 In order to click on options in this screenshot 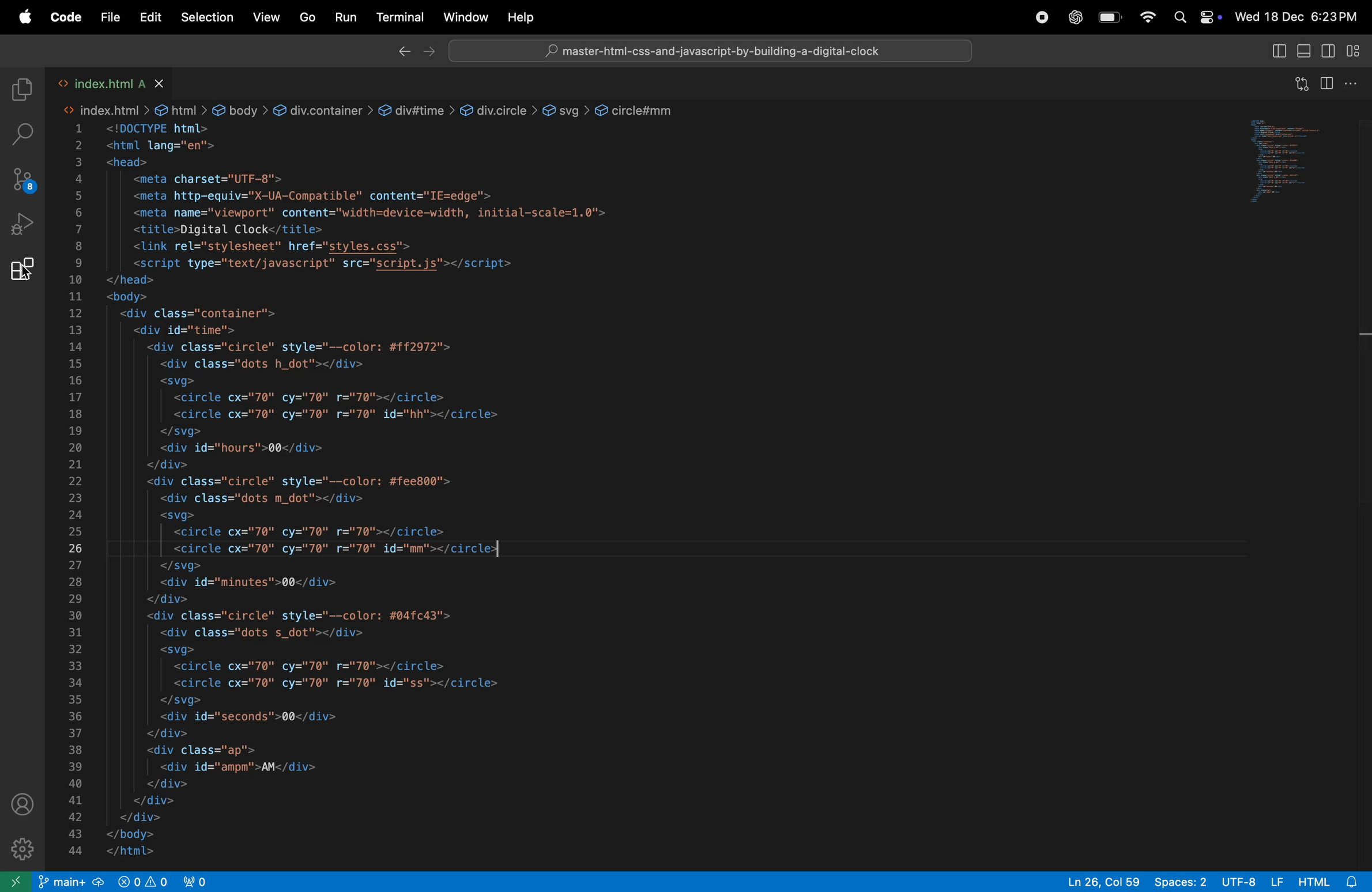, I will do `click(1358, 84)`.